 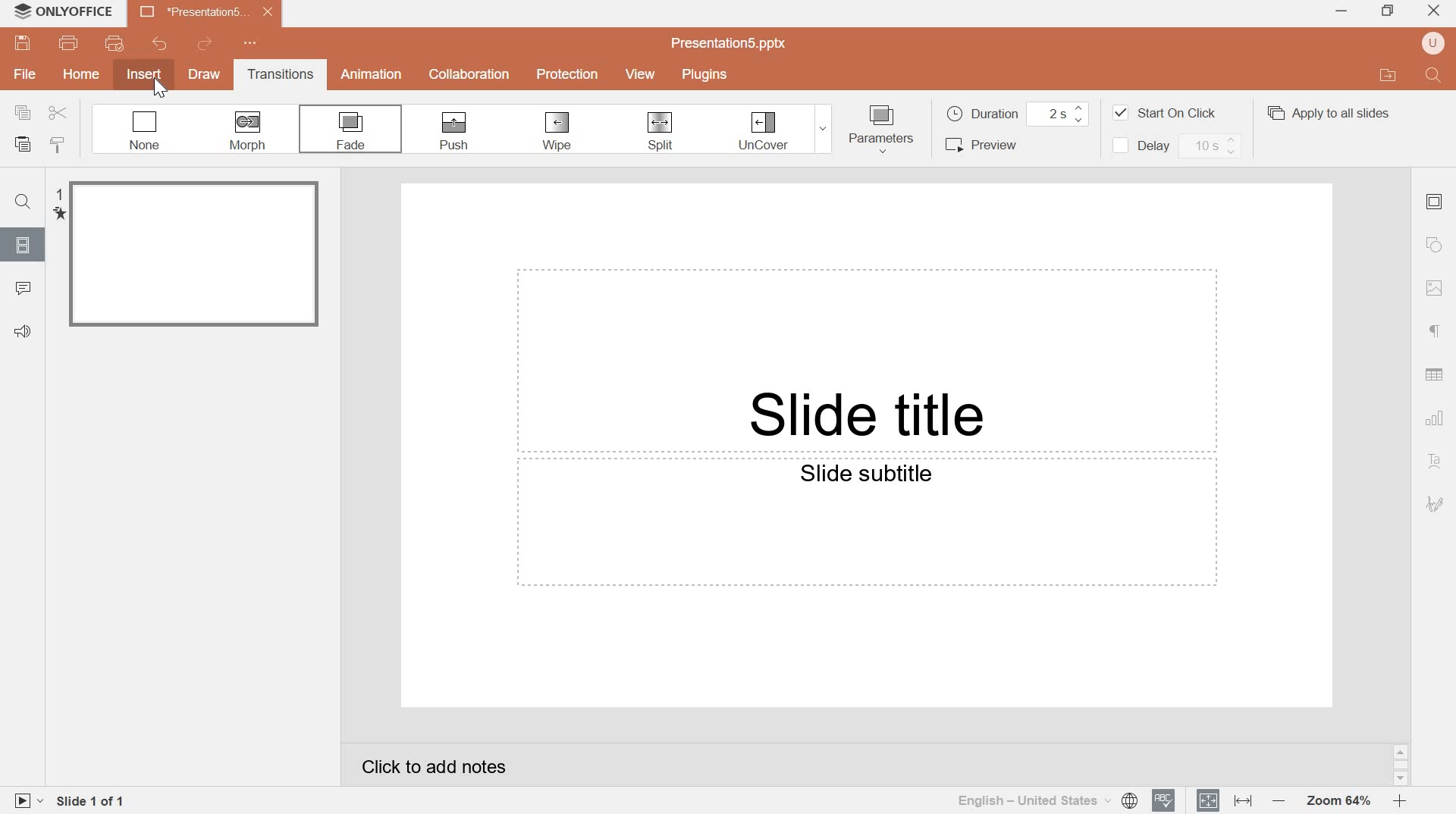 I want to click on New presentation, so click(x=206, y=11).